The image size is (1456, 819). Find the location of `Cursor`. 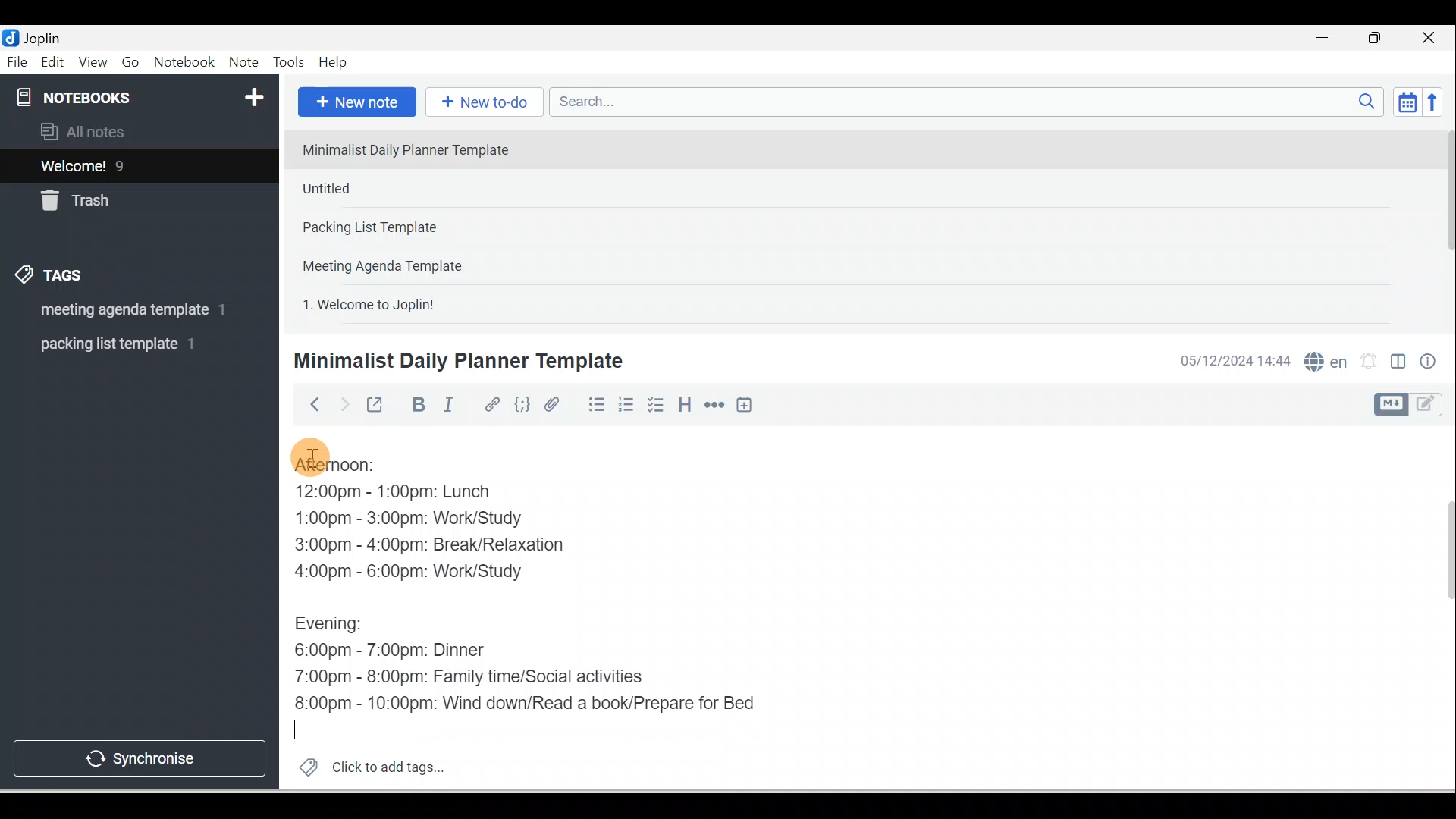

Cursor is located at coordinates (311, 455).